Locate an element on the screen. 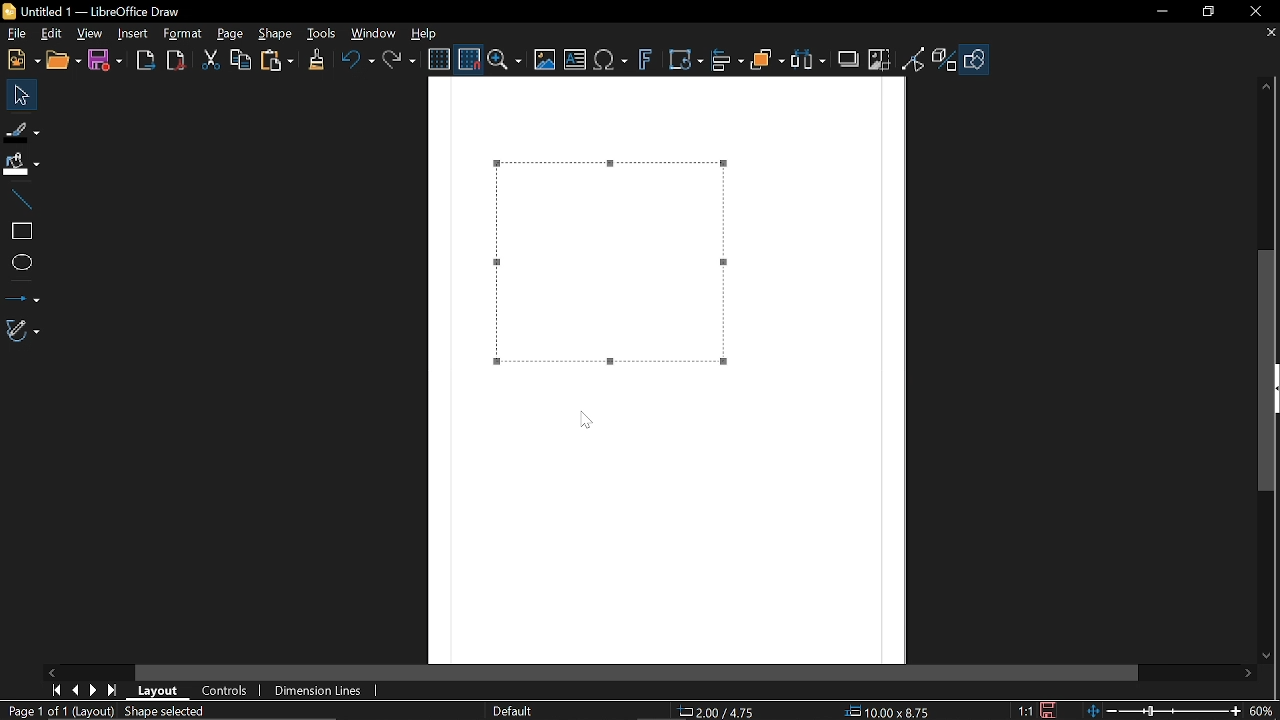 The image size is (1280, 720). rectangle is located at coordinates (21, 232).